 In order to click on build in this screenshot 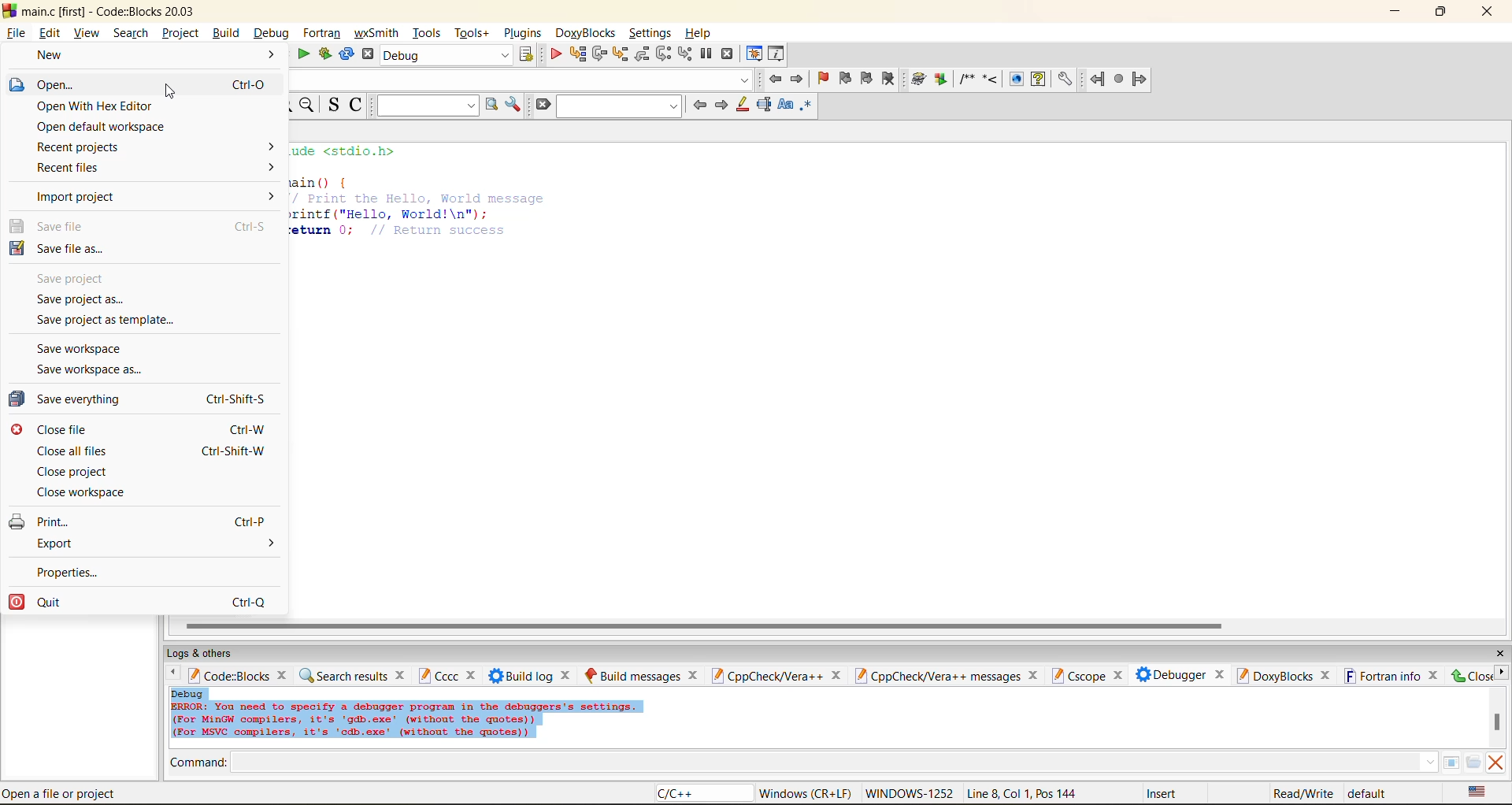, I will do `click(919, 80)`.